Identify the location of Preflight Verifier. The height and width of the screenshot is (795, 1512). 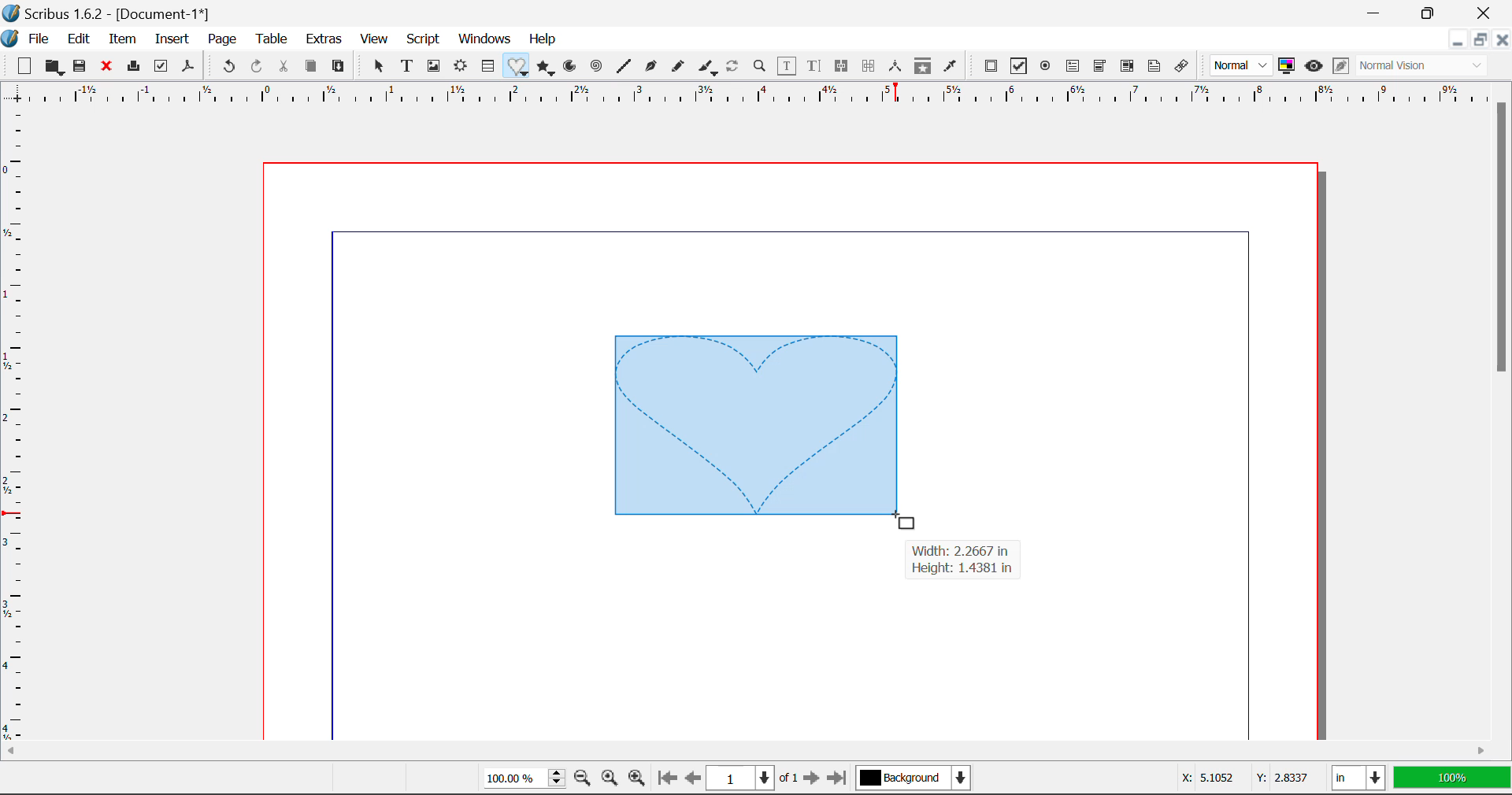
(162, 70).